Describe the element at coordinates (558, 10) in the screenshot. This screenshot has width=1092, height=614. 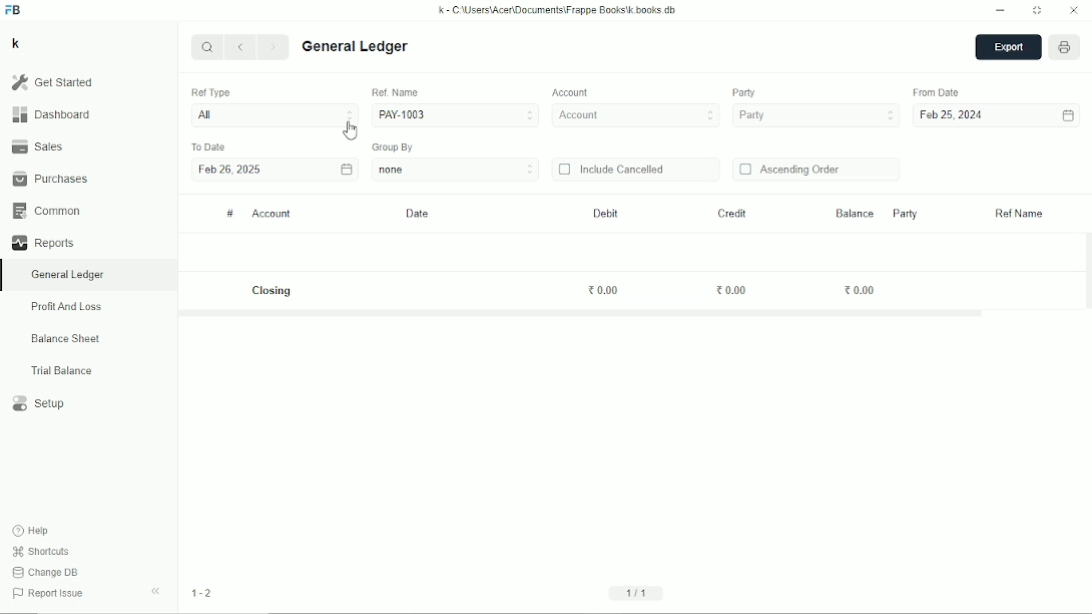
I see `k - C:\Users\Acer\Documents\Frappe books\k.books.db` at that location.